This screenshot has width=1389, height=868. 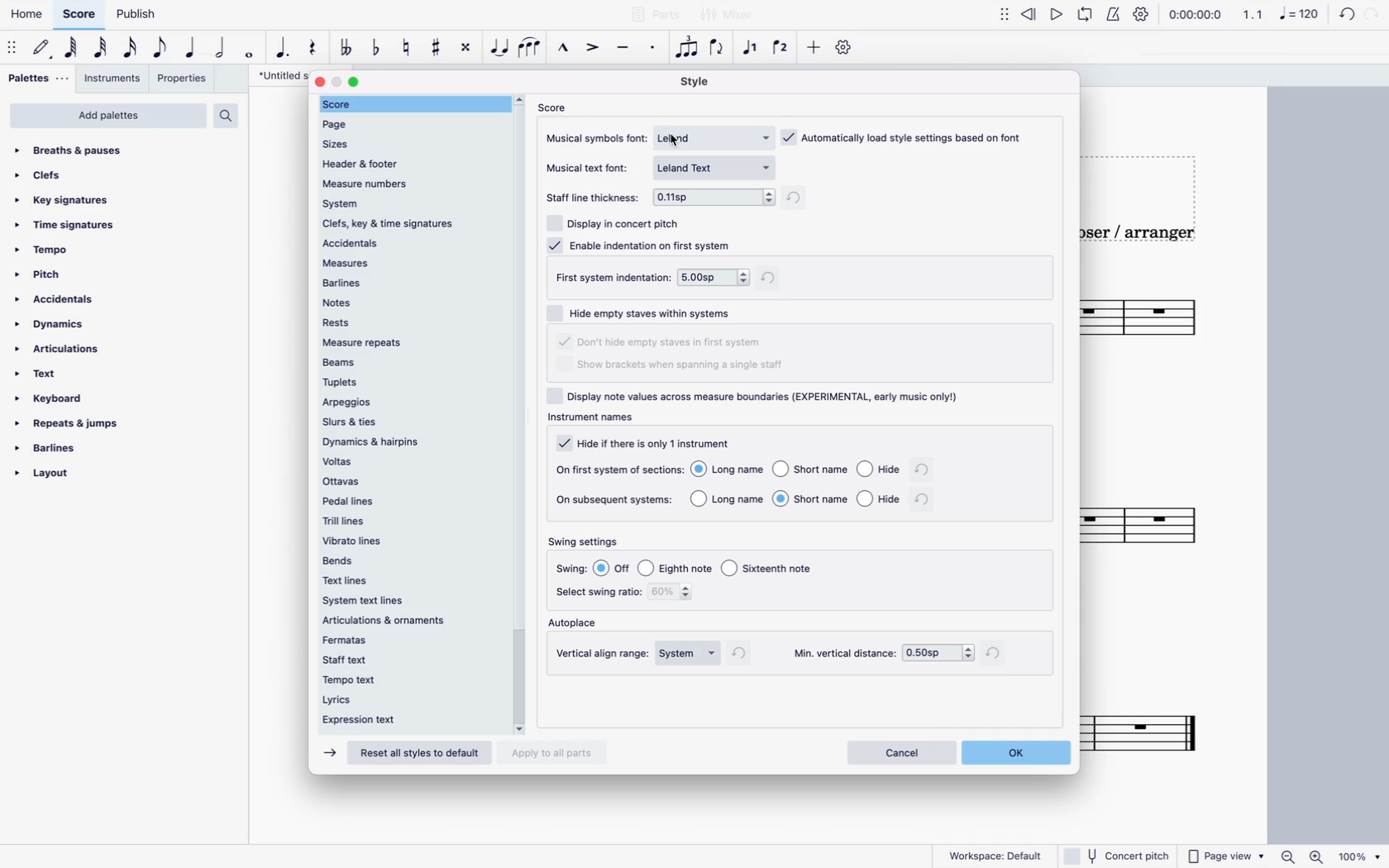 What do you see at coordinates (409, 520) in the screenshot?
I see `trill lines` at bounding box center [409, 520].